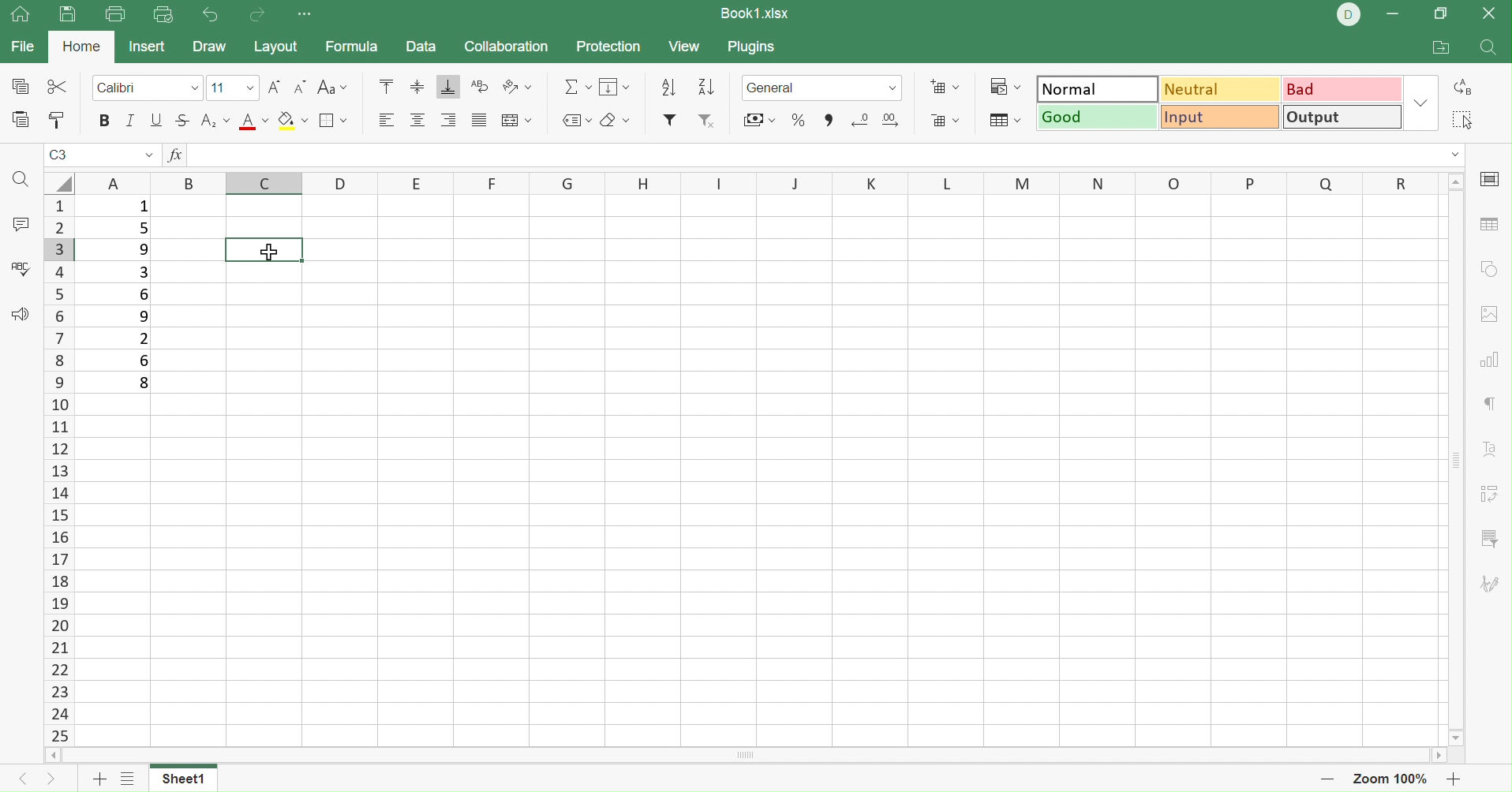 The image size is (1512, 792). Describe the element at coordinates (800, 121) in the screenshot. I see `Percent style` at that location.